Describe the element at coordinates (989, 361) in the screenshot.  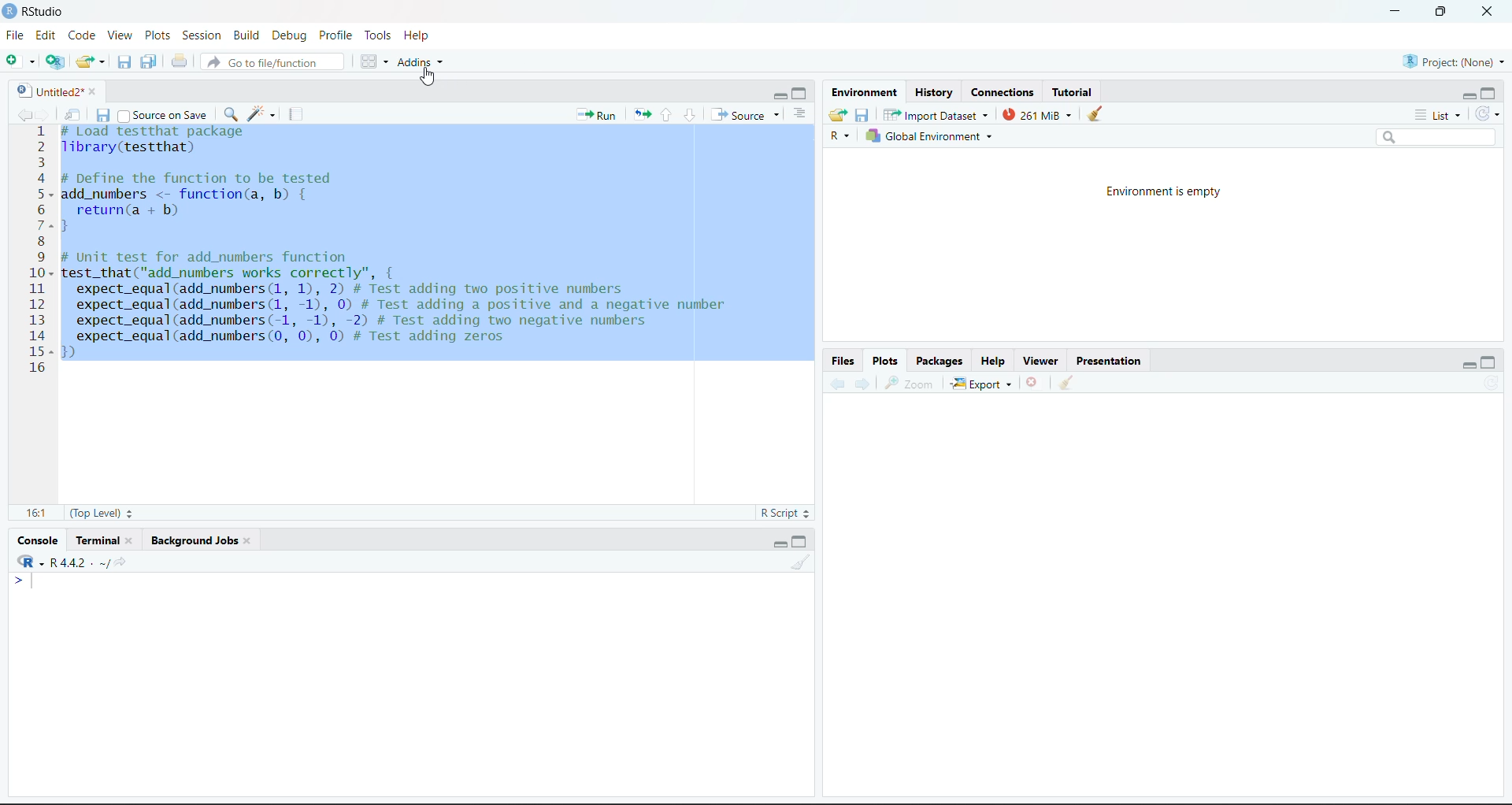
I see `Help` at that location.